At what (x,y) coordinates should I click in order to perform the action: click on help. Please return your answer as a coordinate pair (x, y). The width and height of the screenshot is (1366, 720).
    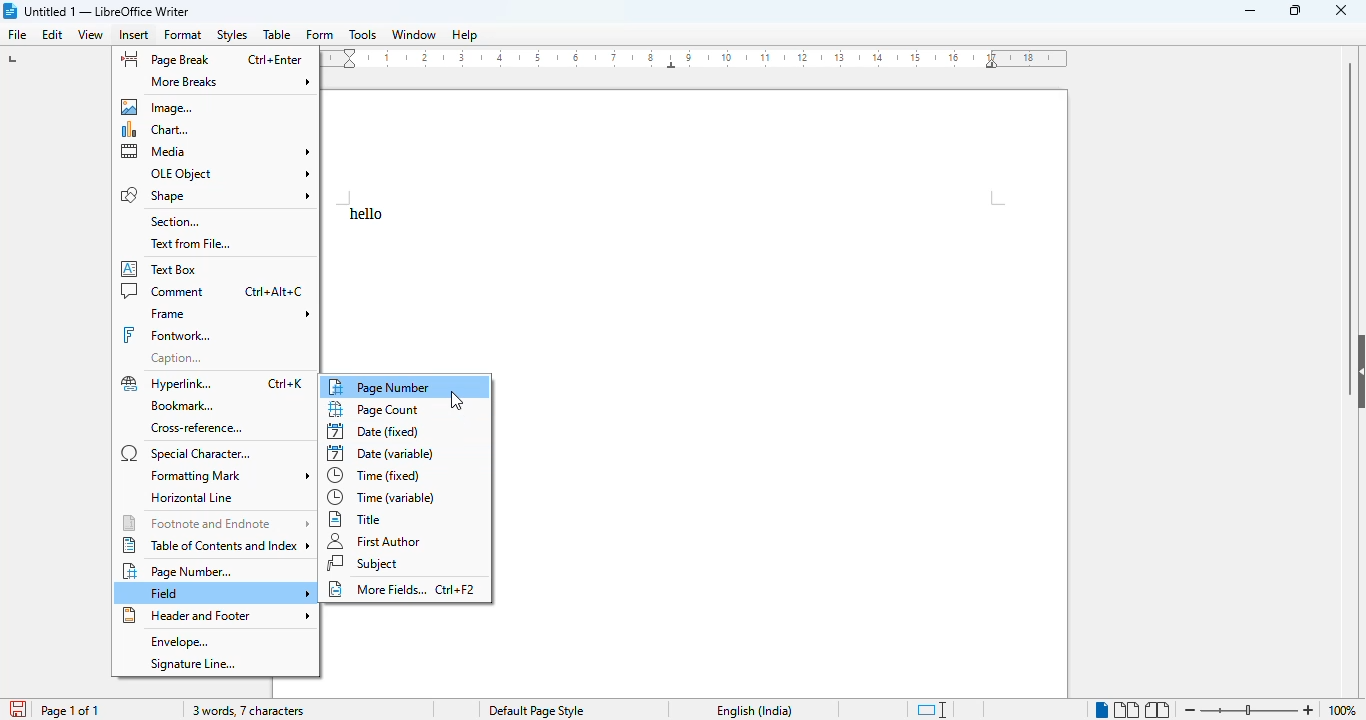
    Looking at the image, I should click on (466, 35).